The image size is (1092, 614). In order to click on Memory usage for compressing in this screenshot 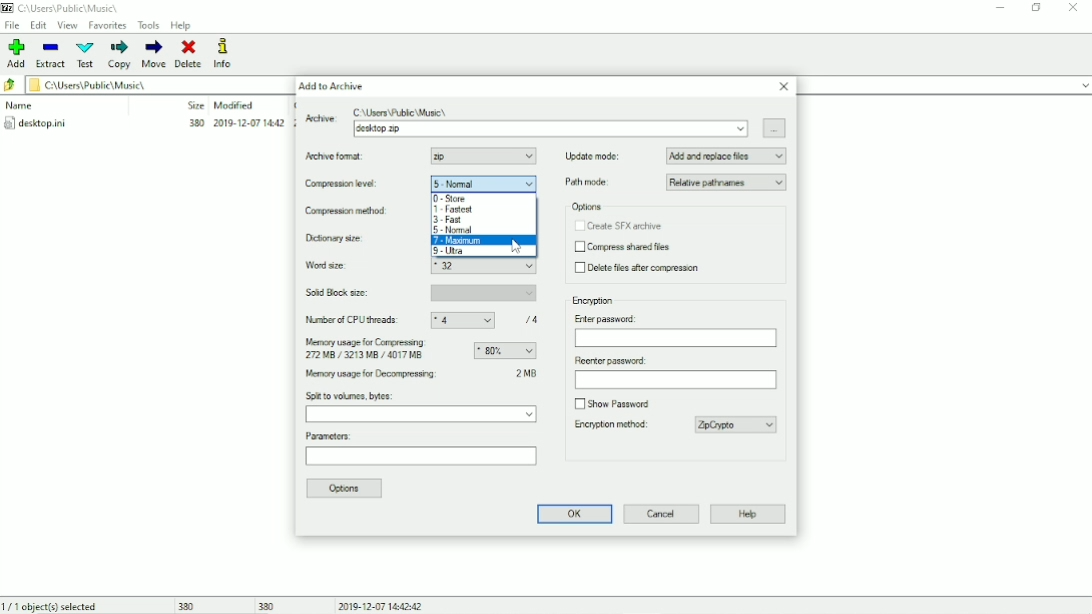, I will do `click(420, 349)`.